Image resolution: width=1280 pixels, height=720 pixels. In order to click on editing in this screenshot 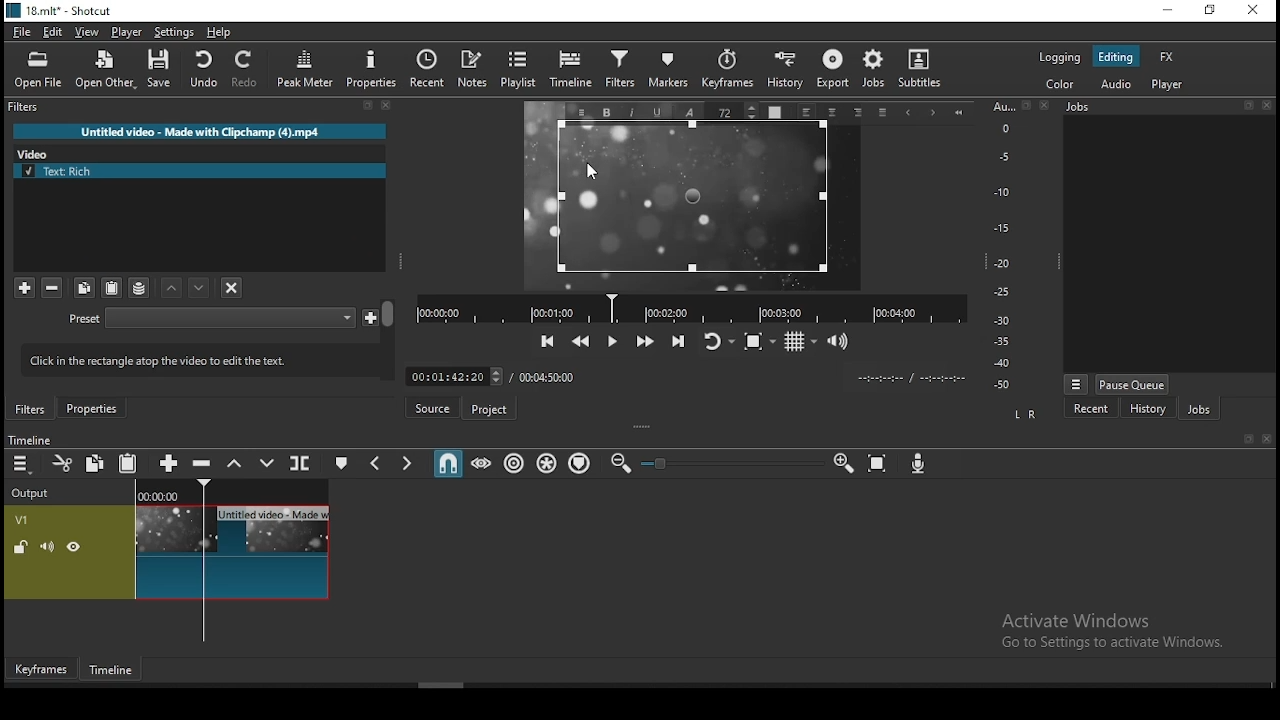, I will do `click(1117, 56)`.